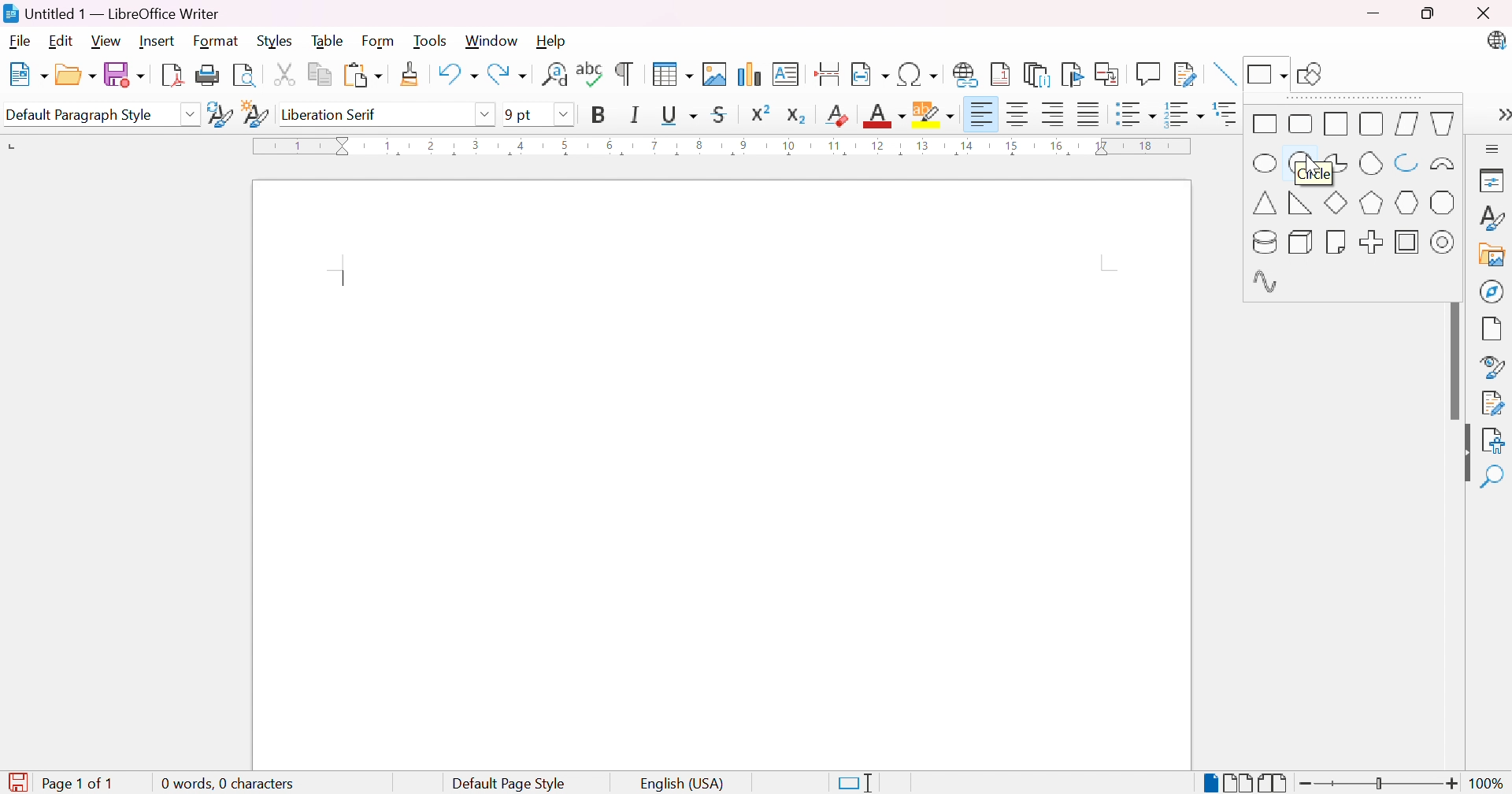 This screenshot has width=1512, height=794. What do you see at coordinates (1427, 15) in the screenshot?
I see `Restore down` at bounding box center [1427, 15].